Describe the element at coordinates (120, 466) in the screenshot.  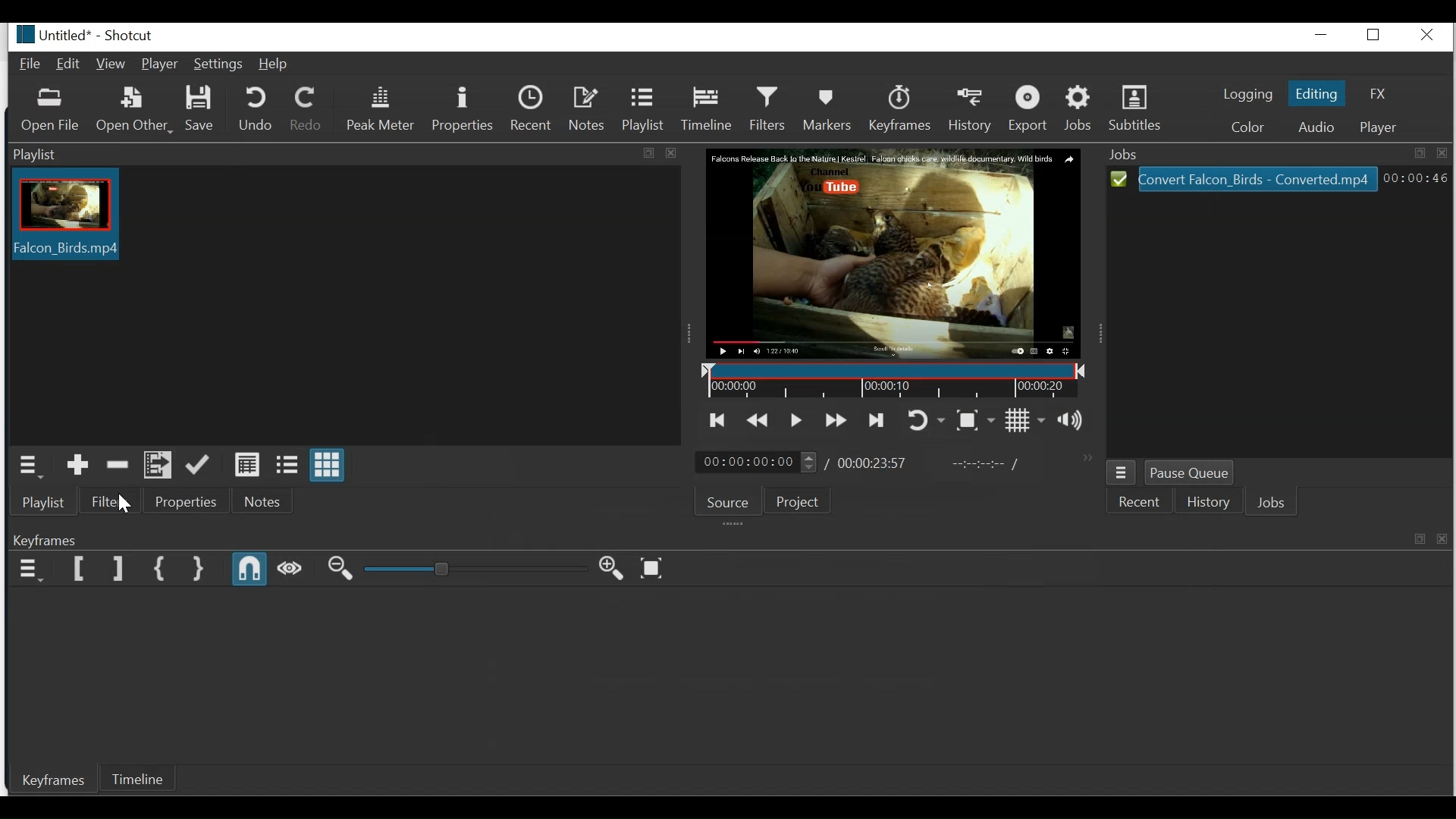
I see `Remove cut` at that location.